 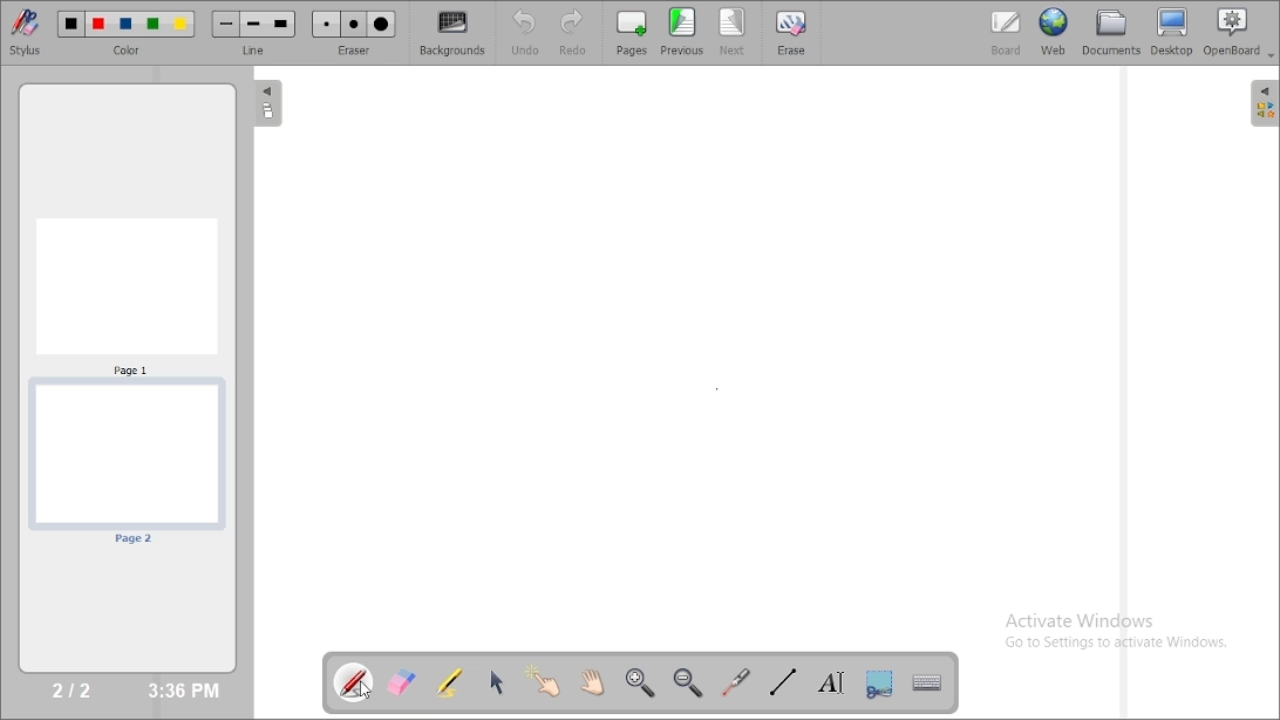 What do you see at coordinates (1122, 634) in the screenshot?
I see `Activate Windows
Go to Settings to activate Windows.` at bounding box center [1122, 634].